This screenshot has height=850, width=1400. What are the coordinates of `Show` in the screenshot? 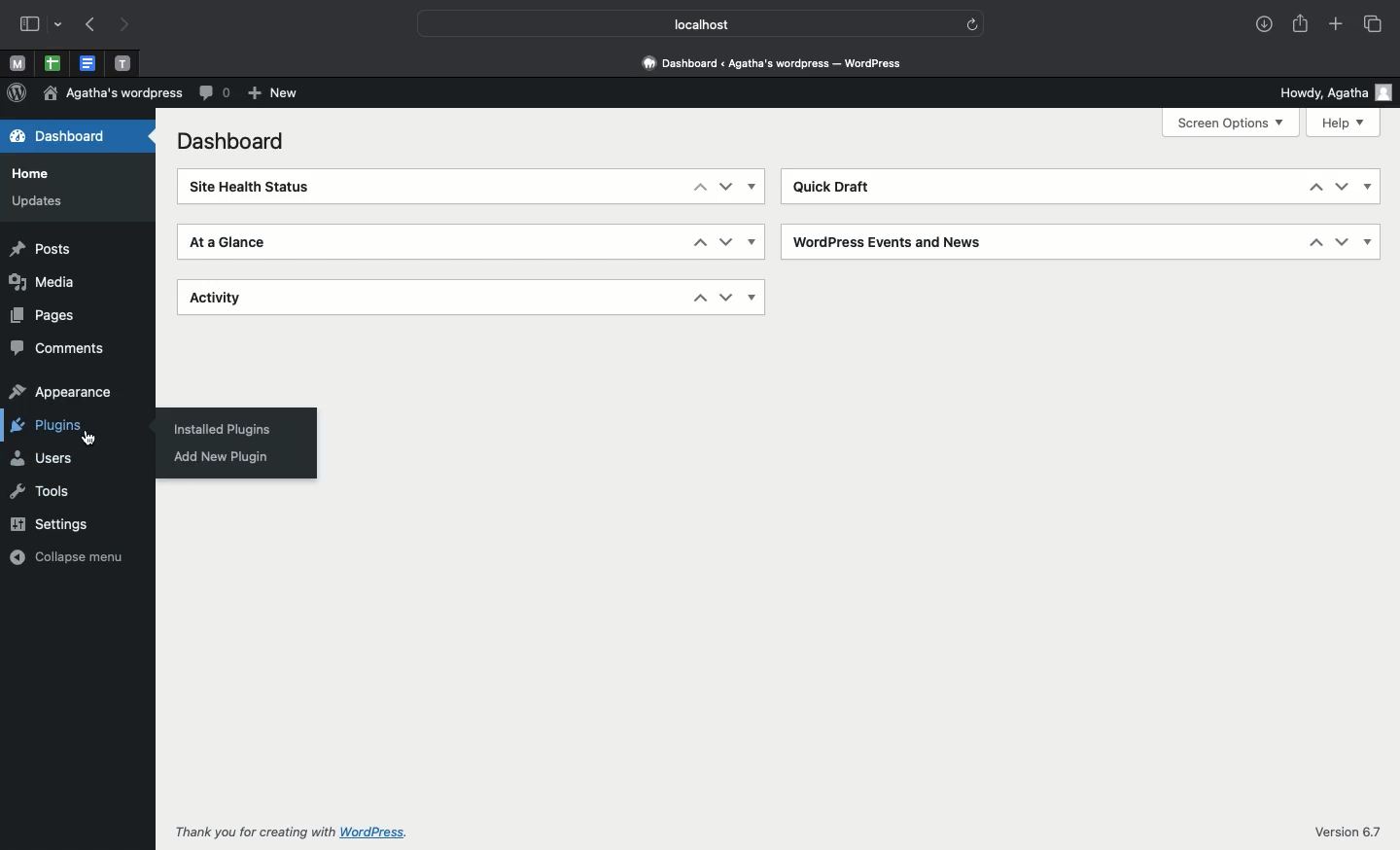 It's located at (1369, 242).